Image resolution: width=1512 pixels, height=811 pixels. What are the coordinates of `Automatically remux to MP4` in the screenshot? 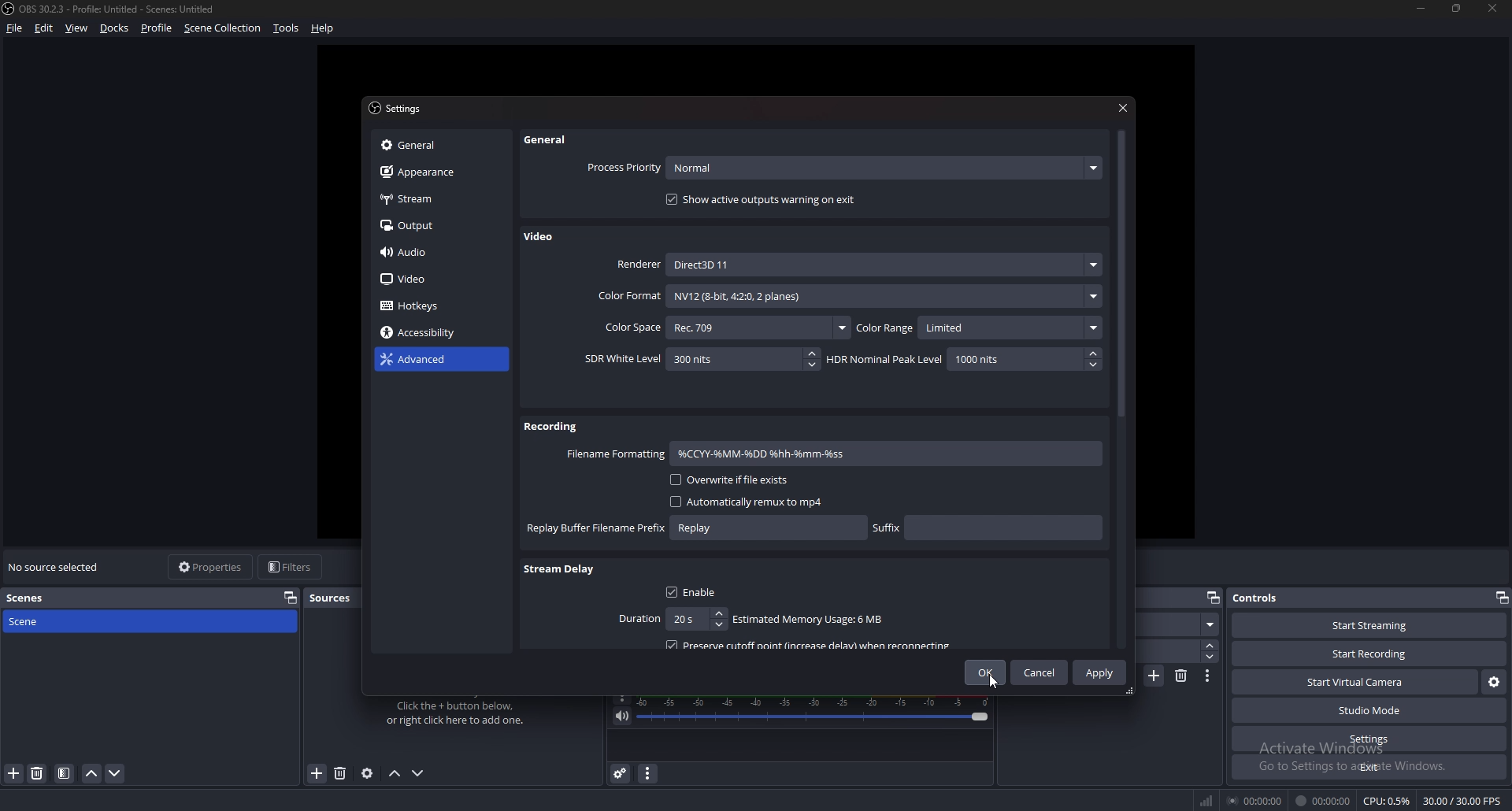 It's located at (739, 502).